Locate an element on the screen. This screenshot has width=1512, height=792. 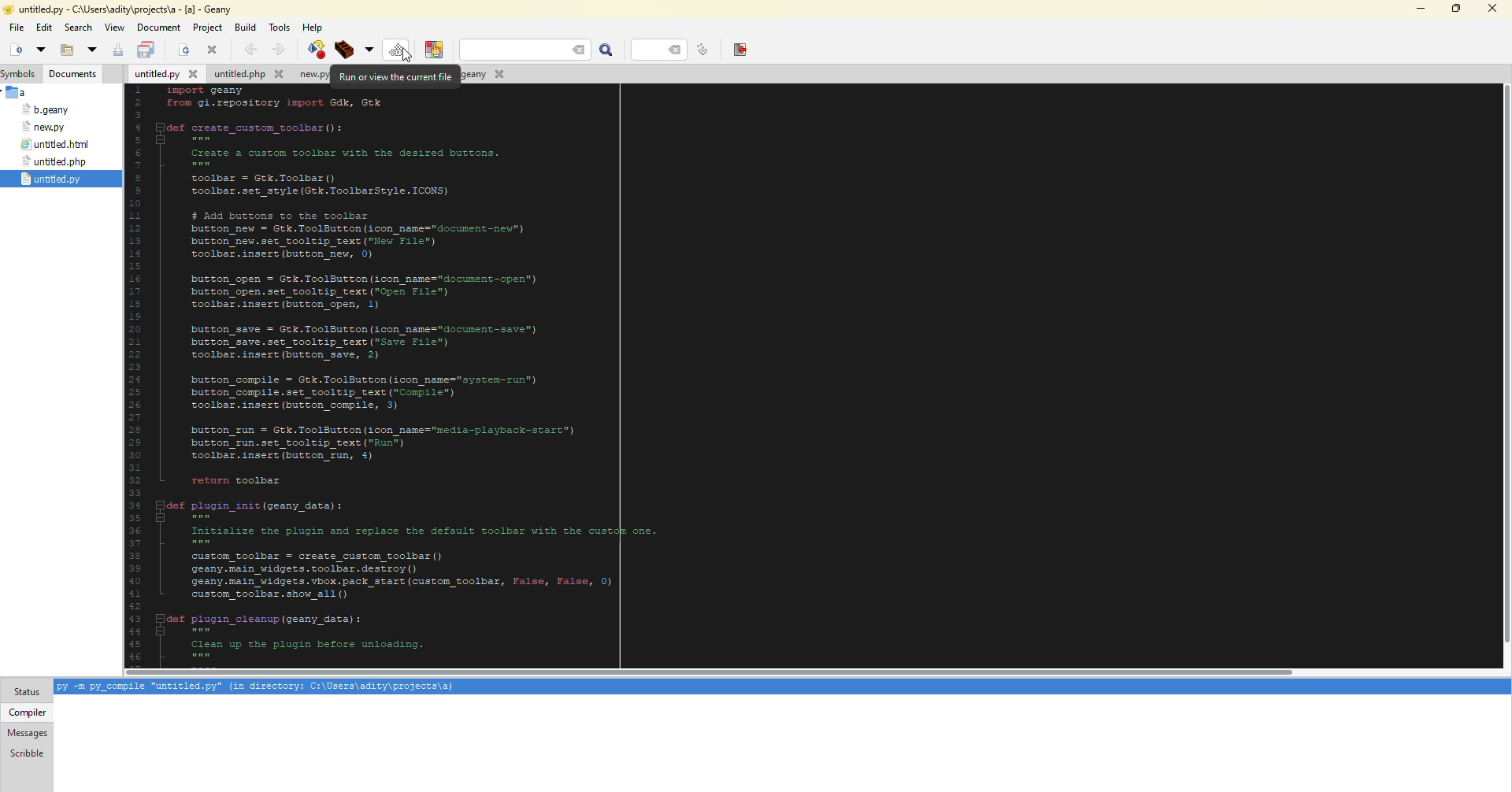
file is located at coordinates (58, 143).